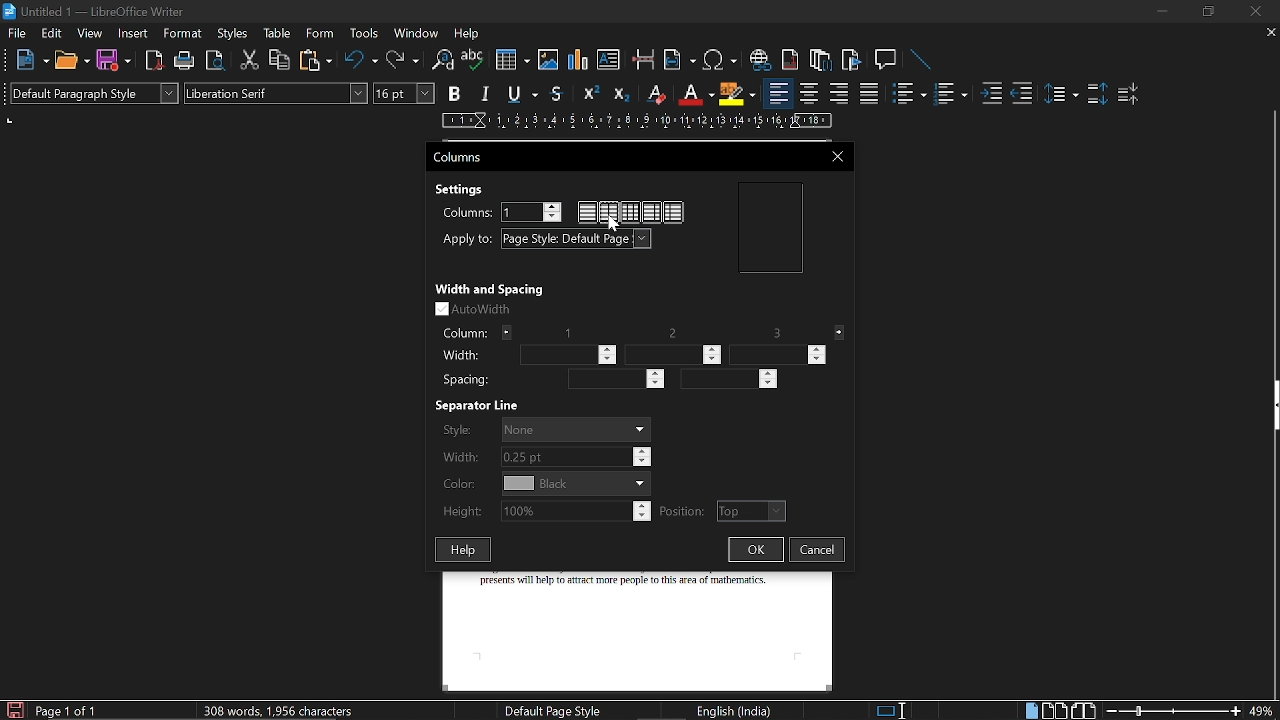 The height and width of the screenshot is (720, 1280). What do you see at coordinates (642, 60) in the screenshot?
I see `Insert page break` at bounding box center [642, 60].